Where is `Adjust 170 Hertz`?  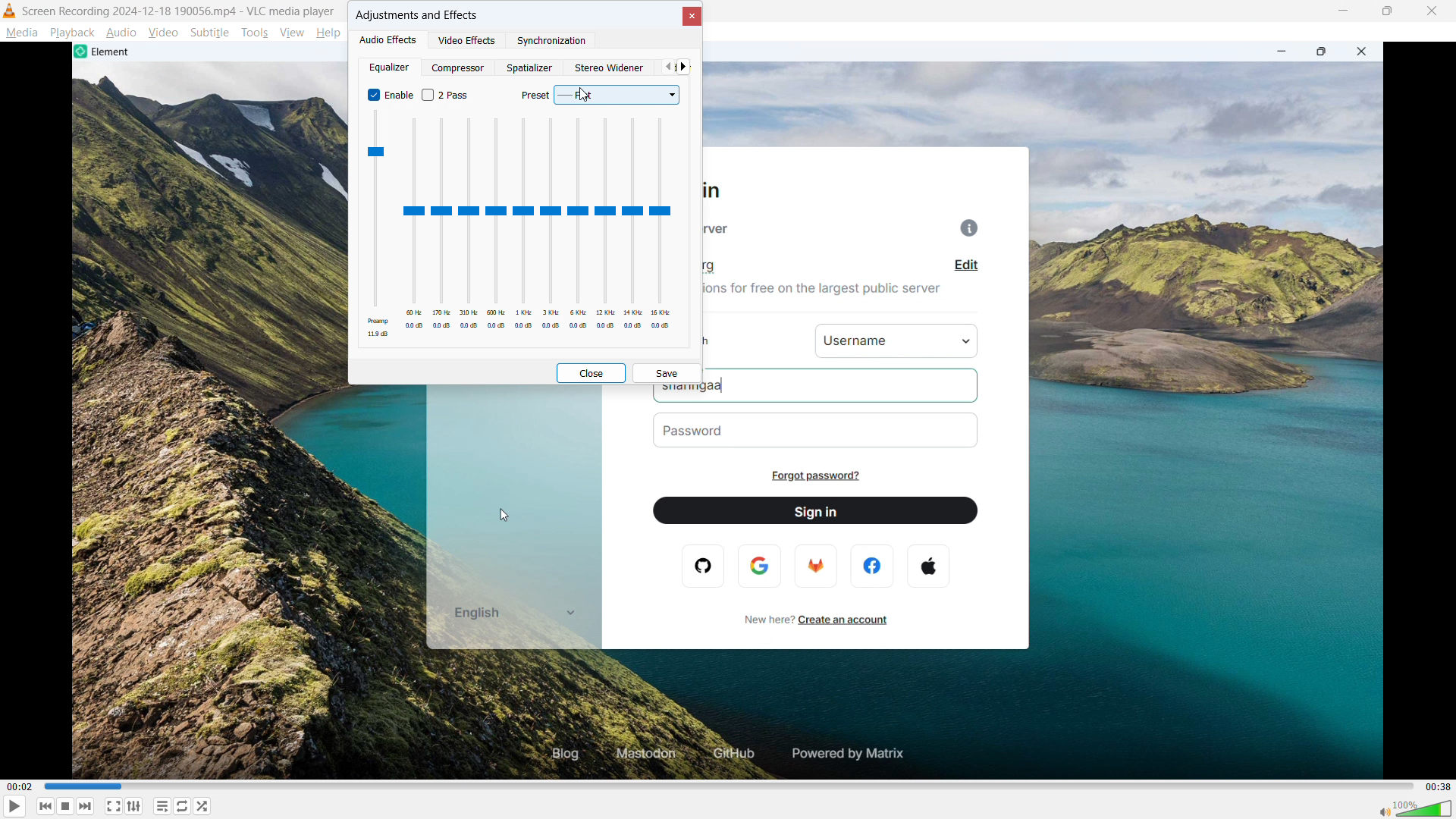
Adjust 170 Hertz is located at coordinates (443, 225).